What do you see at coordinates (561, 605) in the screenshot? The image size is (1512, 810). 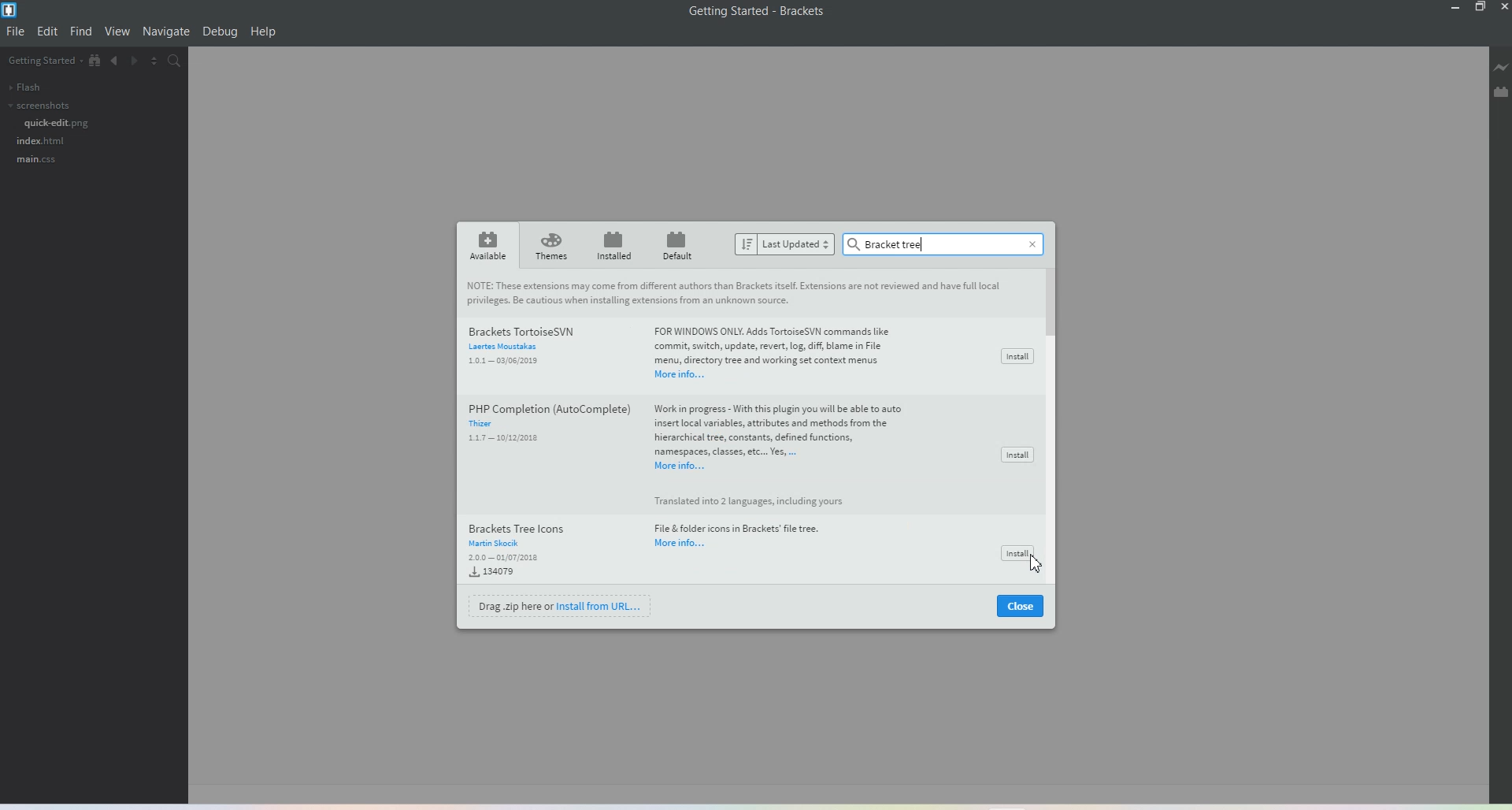 I see `Install from URL` at bounding box center [561, 605].